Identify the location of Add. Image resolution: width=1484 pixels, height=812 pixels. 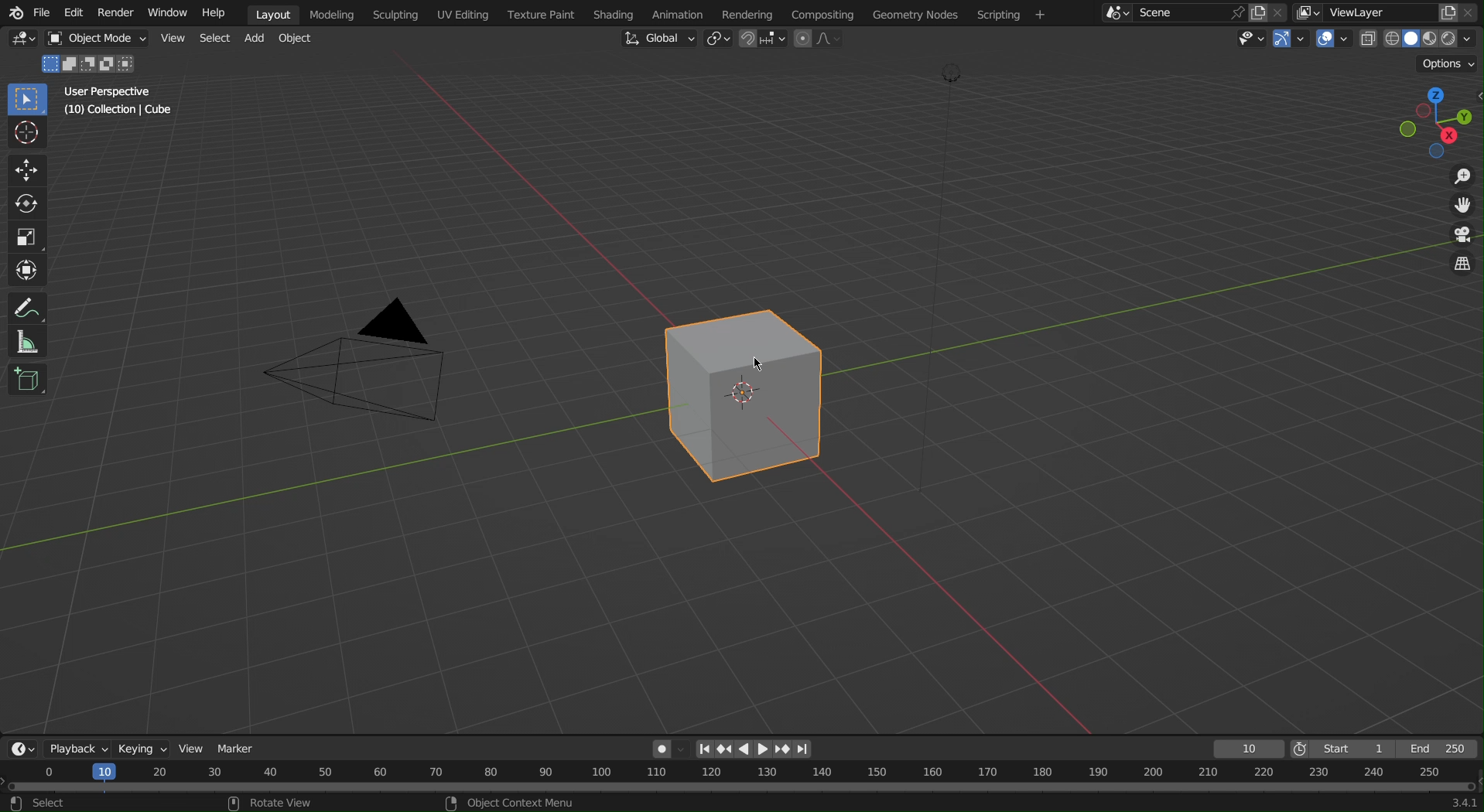
(254, 39).